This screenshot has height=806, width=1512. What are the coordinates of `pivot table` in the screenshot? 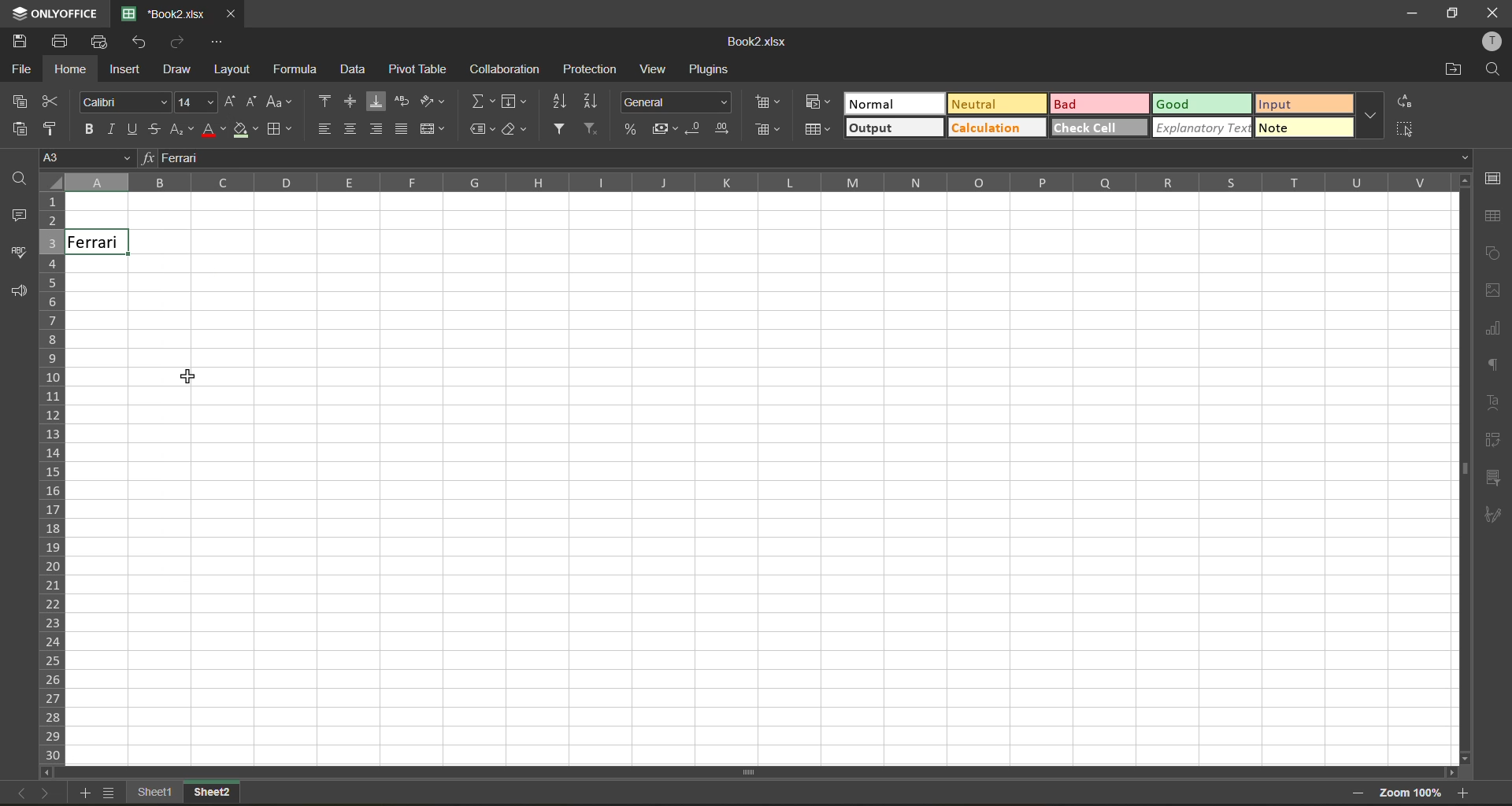 It's located at (417, 70).